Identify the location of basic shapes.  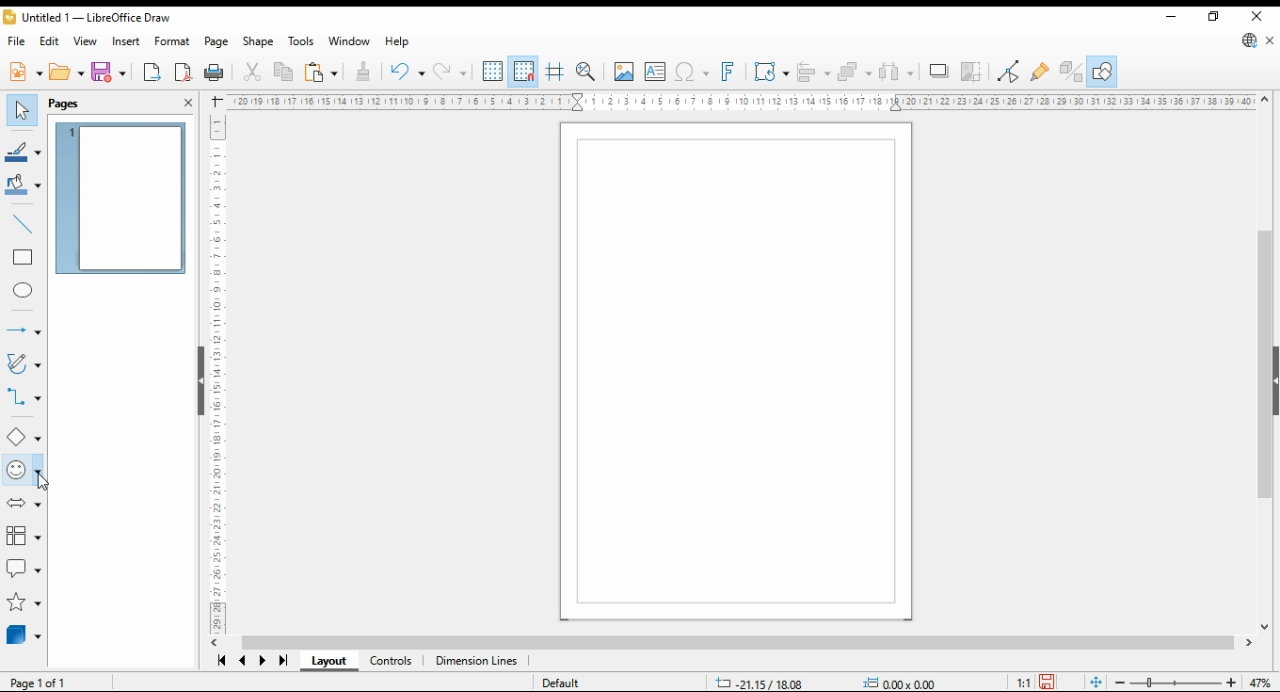
(23, 436).